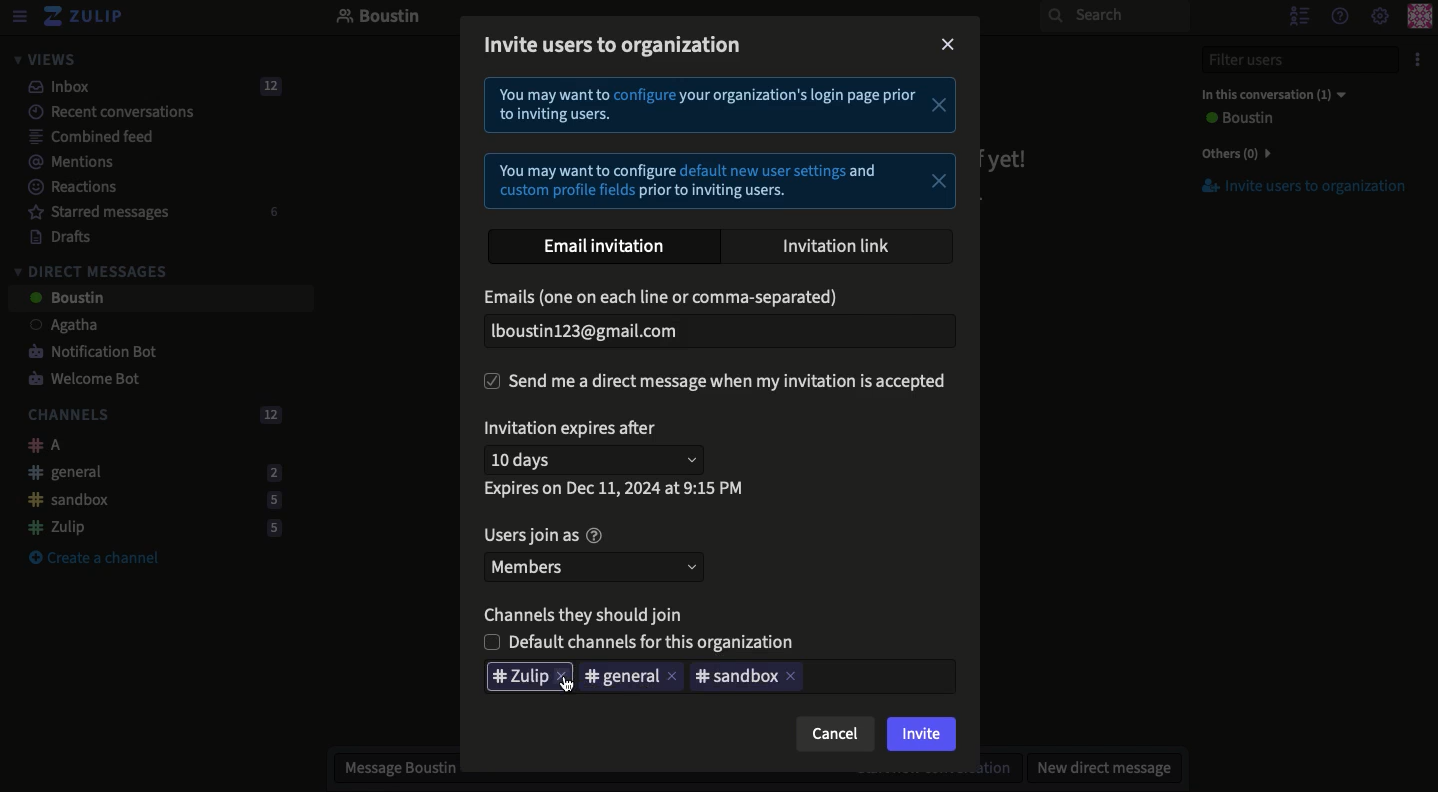 This screenshot has width=1438, height=792. What do you see at coordinates (714, 332) in the screenshot?
I see `Email added` at bounding box center [714, 332].